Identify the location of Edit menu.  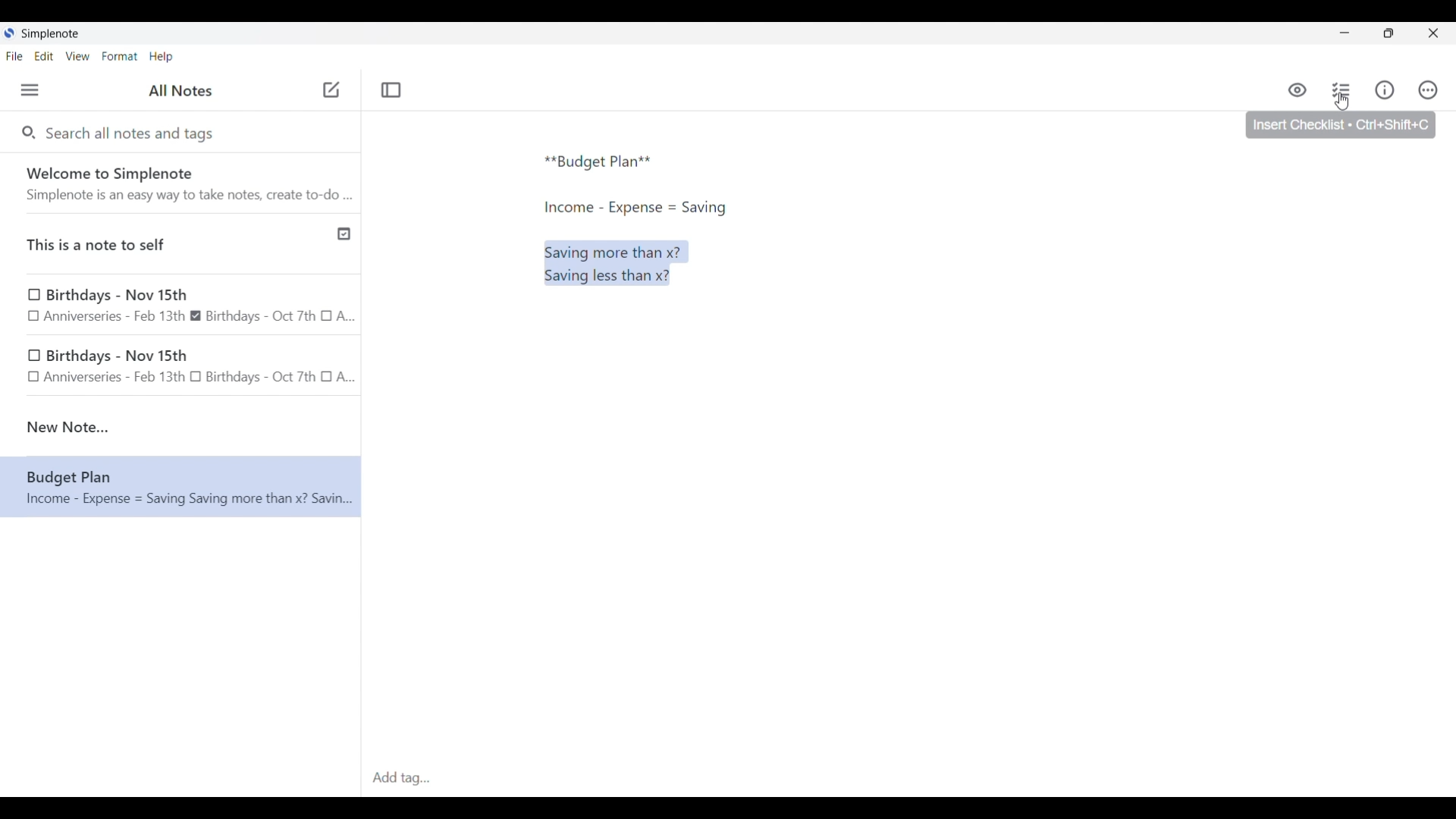
(45, 55).